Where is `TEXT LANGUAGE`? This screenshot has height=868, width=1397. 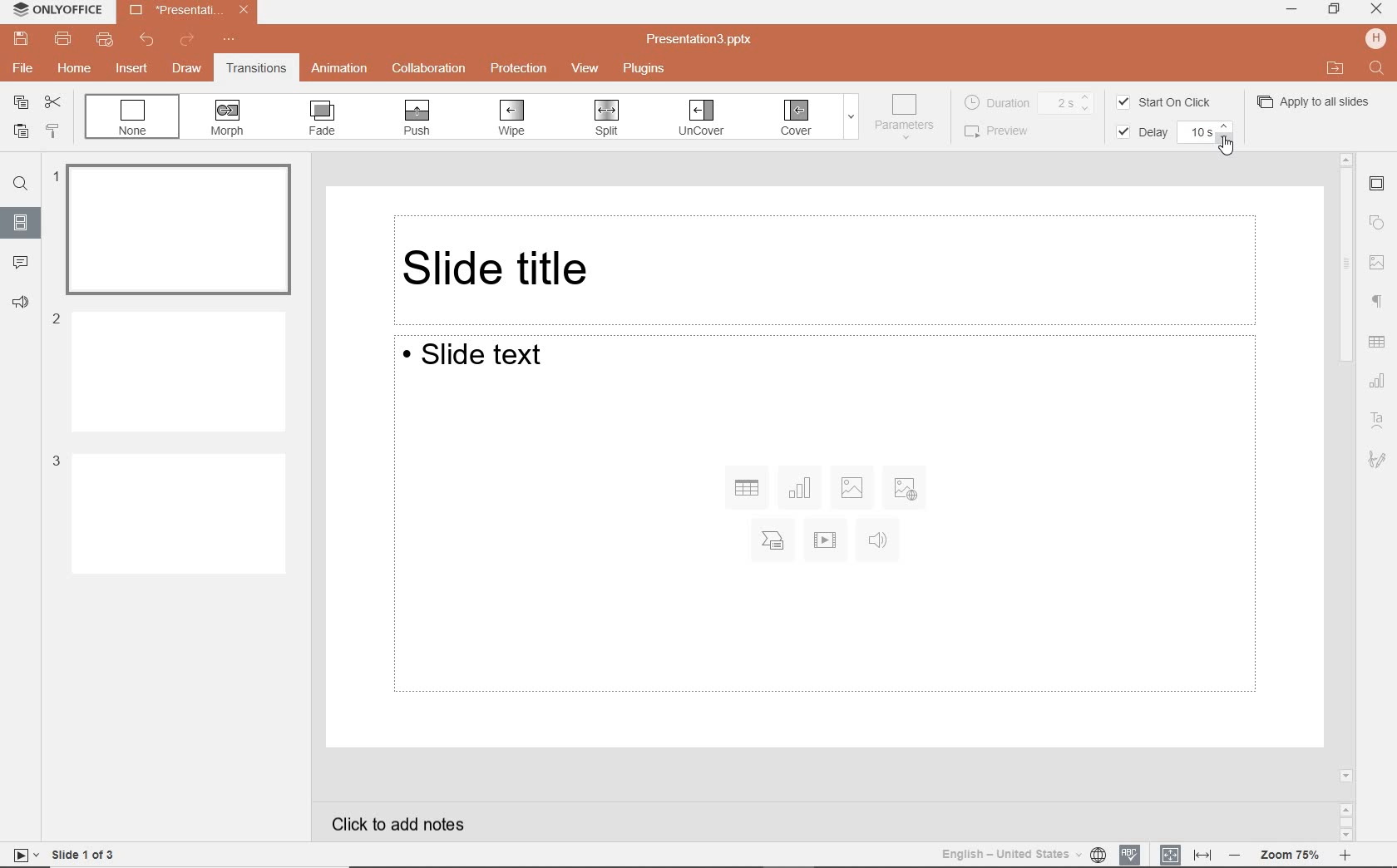
TEXT LANGUAGE is located at coordinates (1022, 854).